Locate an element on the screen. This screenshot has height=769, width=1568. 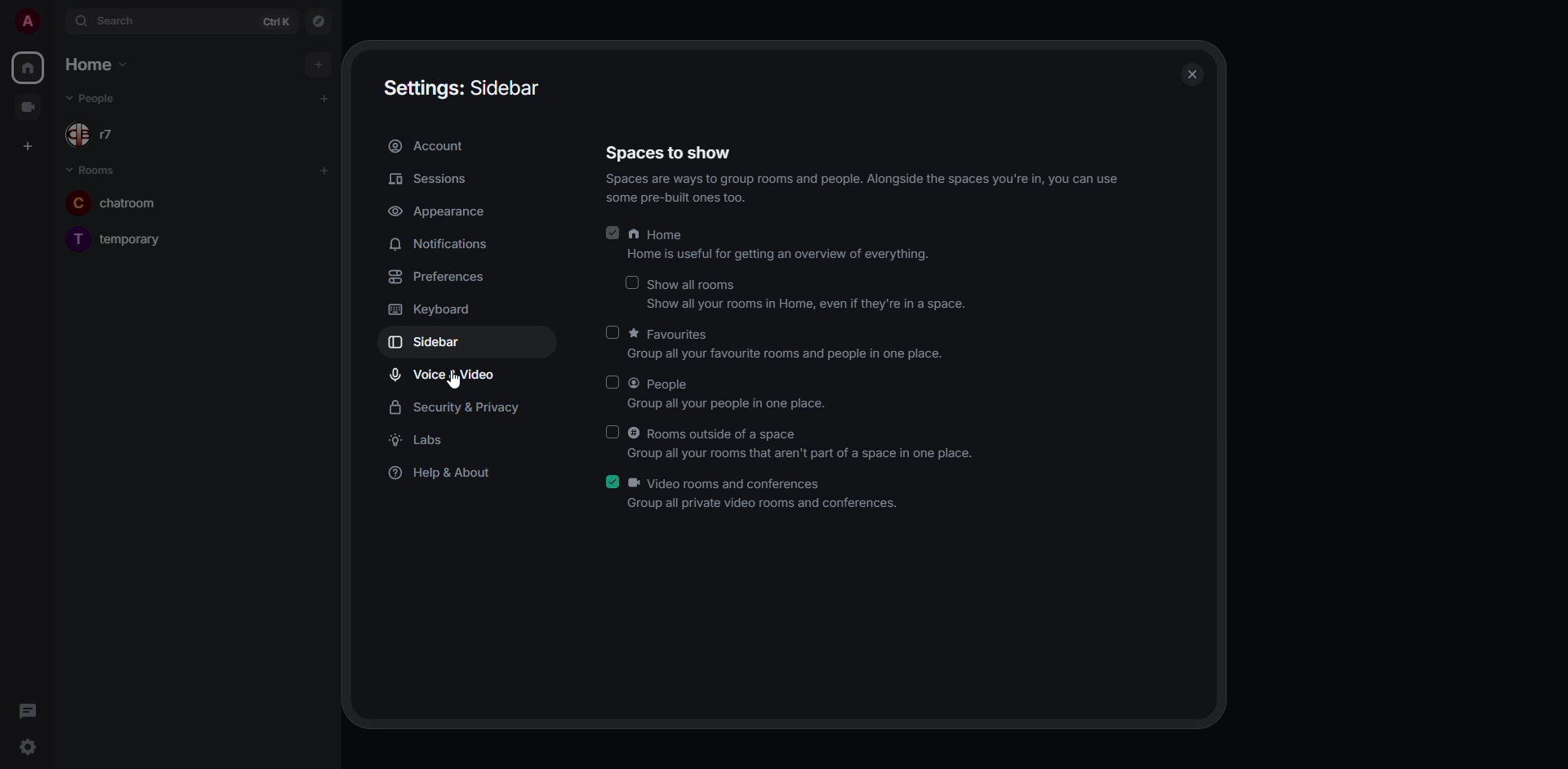
temporary is located at coordinates (120, 238).